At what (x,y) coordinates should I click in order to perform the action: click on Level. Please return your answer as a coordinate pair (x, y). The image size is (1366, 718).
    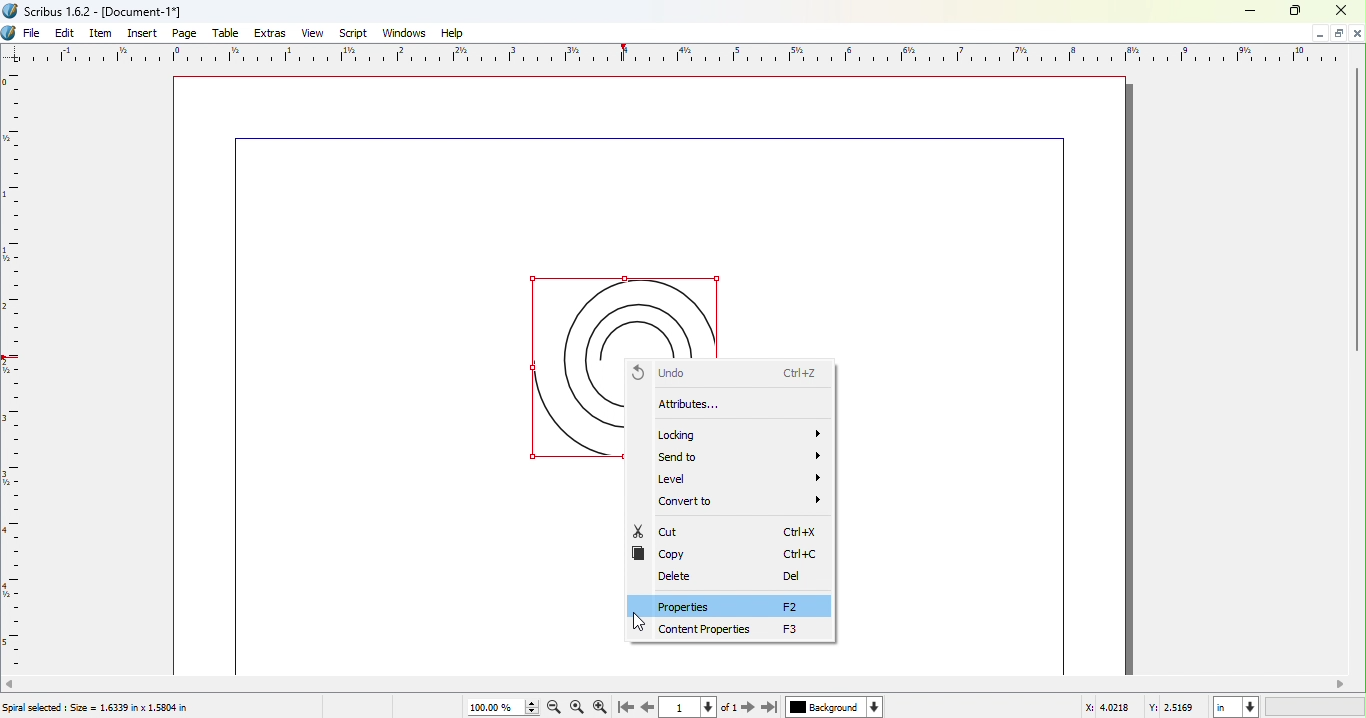
    Looking at the image, I should click on (740, 478).